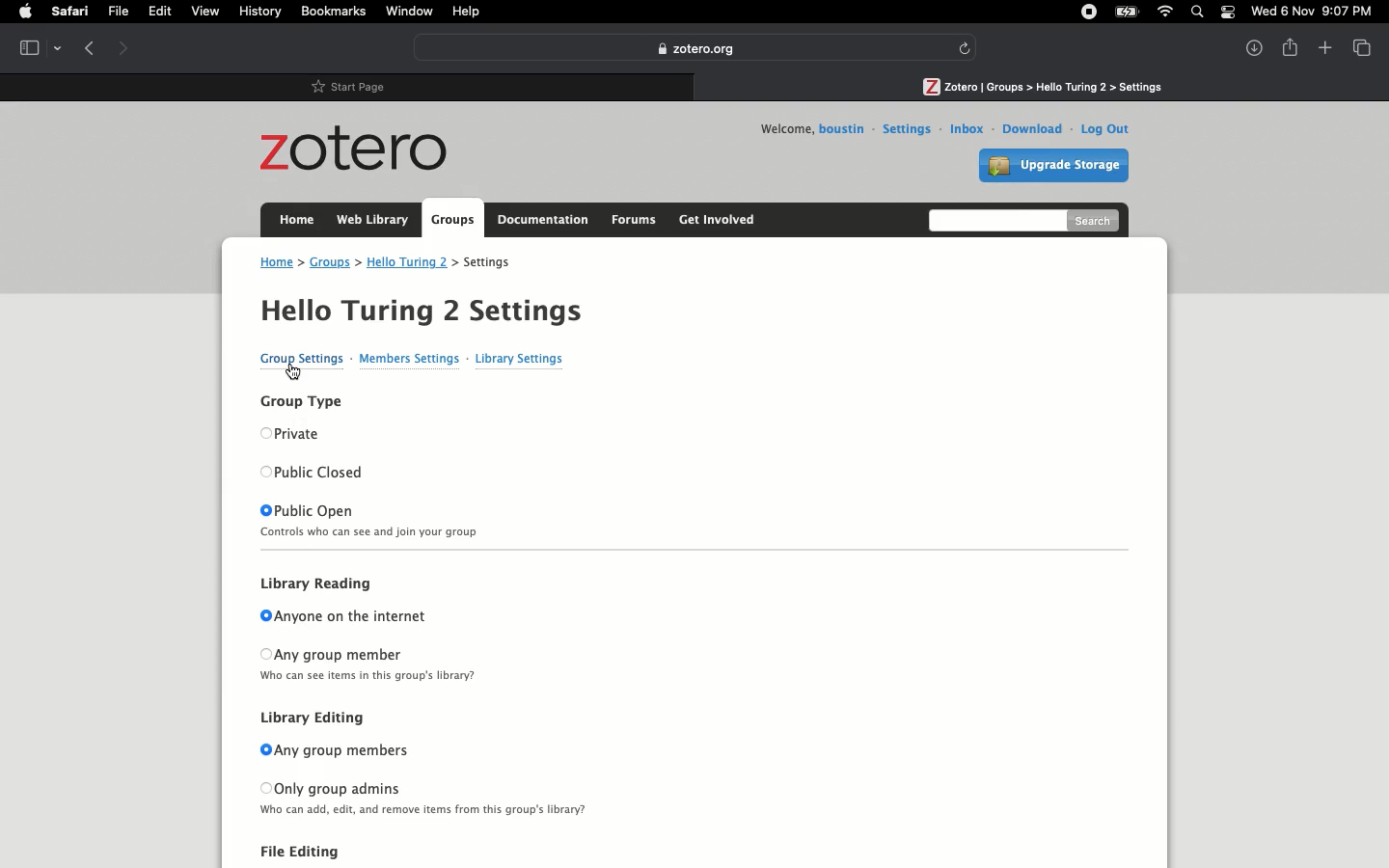  Describe the element at coordinates (334, 12) in the screenshot. I see `Bookmarks` at that location.